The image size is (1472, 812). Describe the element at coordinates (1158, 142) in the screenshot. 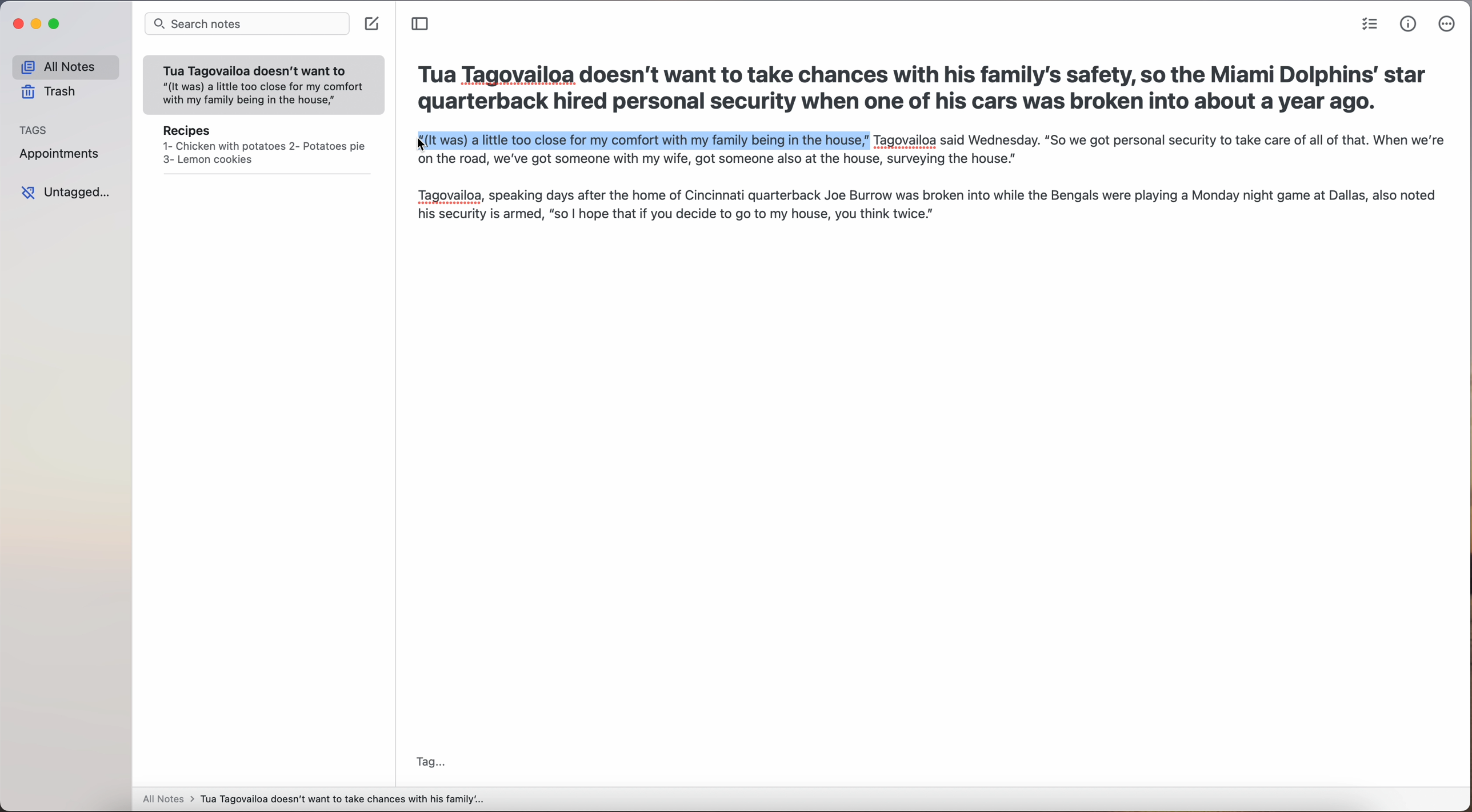

I see `body text Tua Tagovailoa` at that location.